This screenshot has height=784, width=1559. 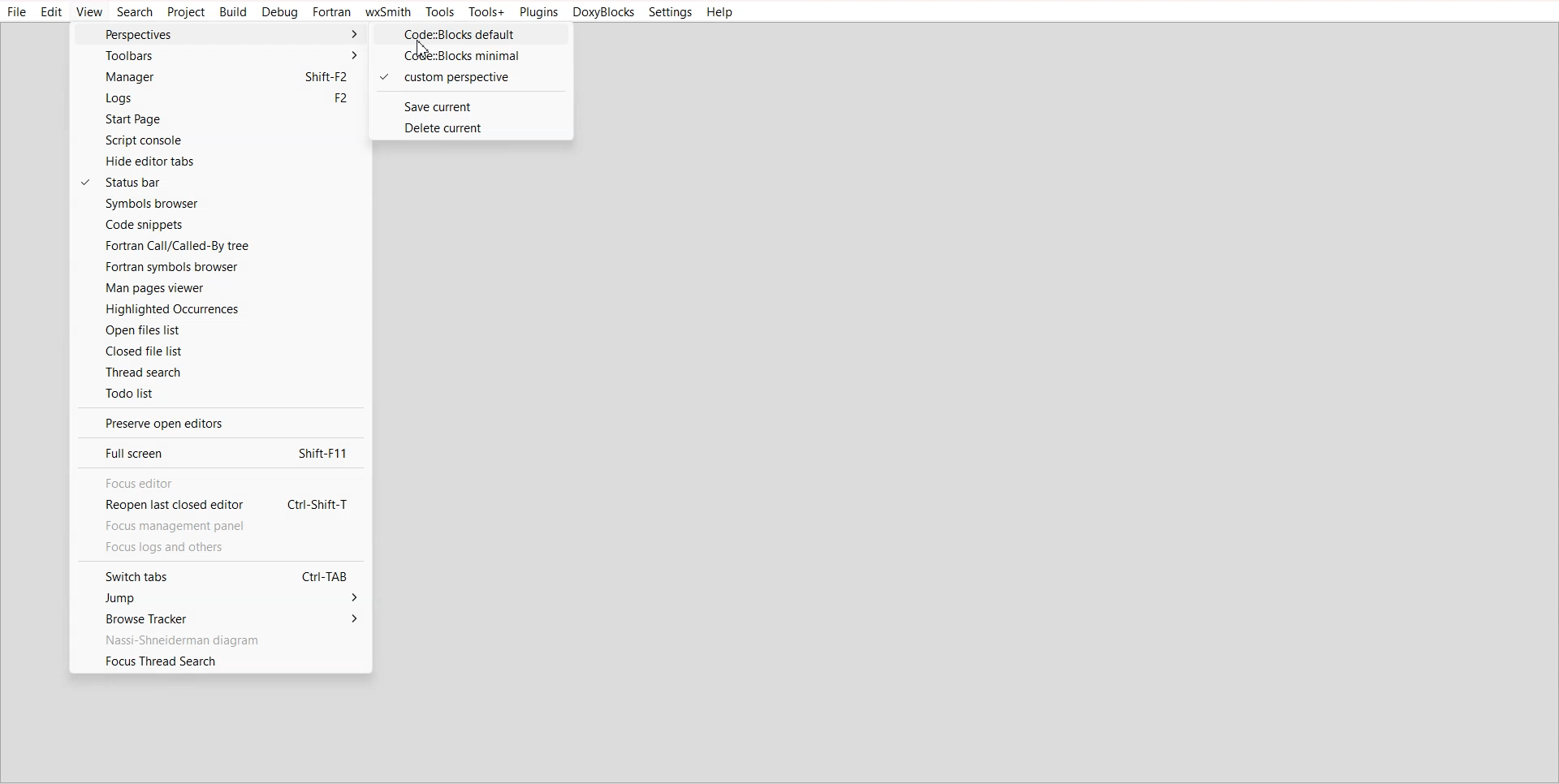 What do you see at coordinates (219, 308) in the screenshot?
I see `Highlighted Occurrences` at bounding box center [219, 308].